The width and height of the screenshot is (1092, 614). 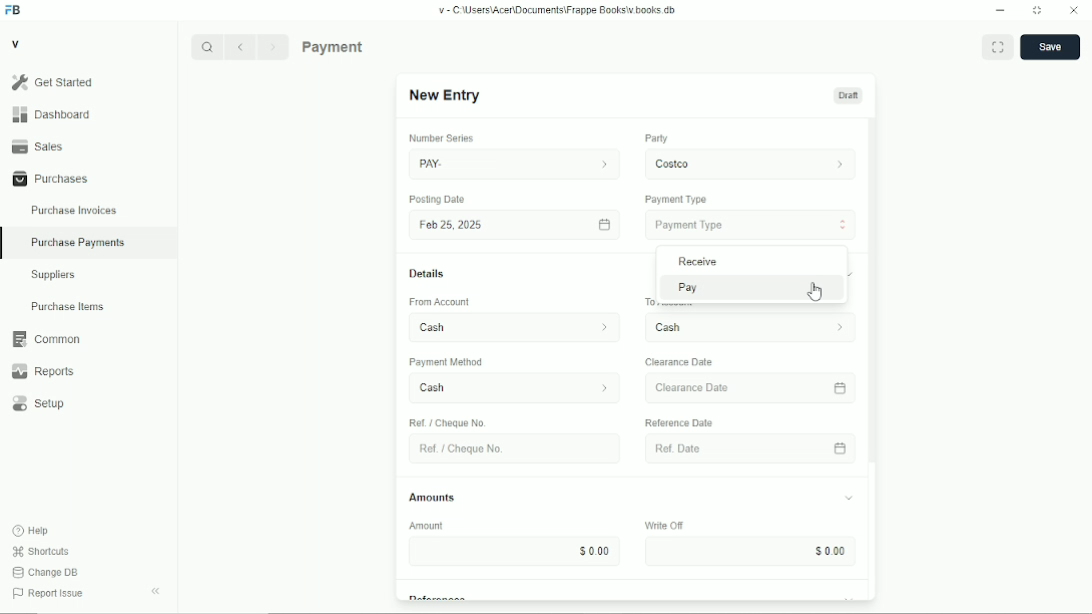 What do you see at coordinates (240, 47) in the screenshot?
I see `Previous` at bounding box center [240, 47].